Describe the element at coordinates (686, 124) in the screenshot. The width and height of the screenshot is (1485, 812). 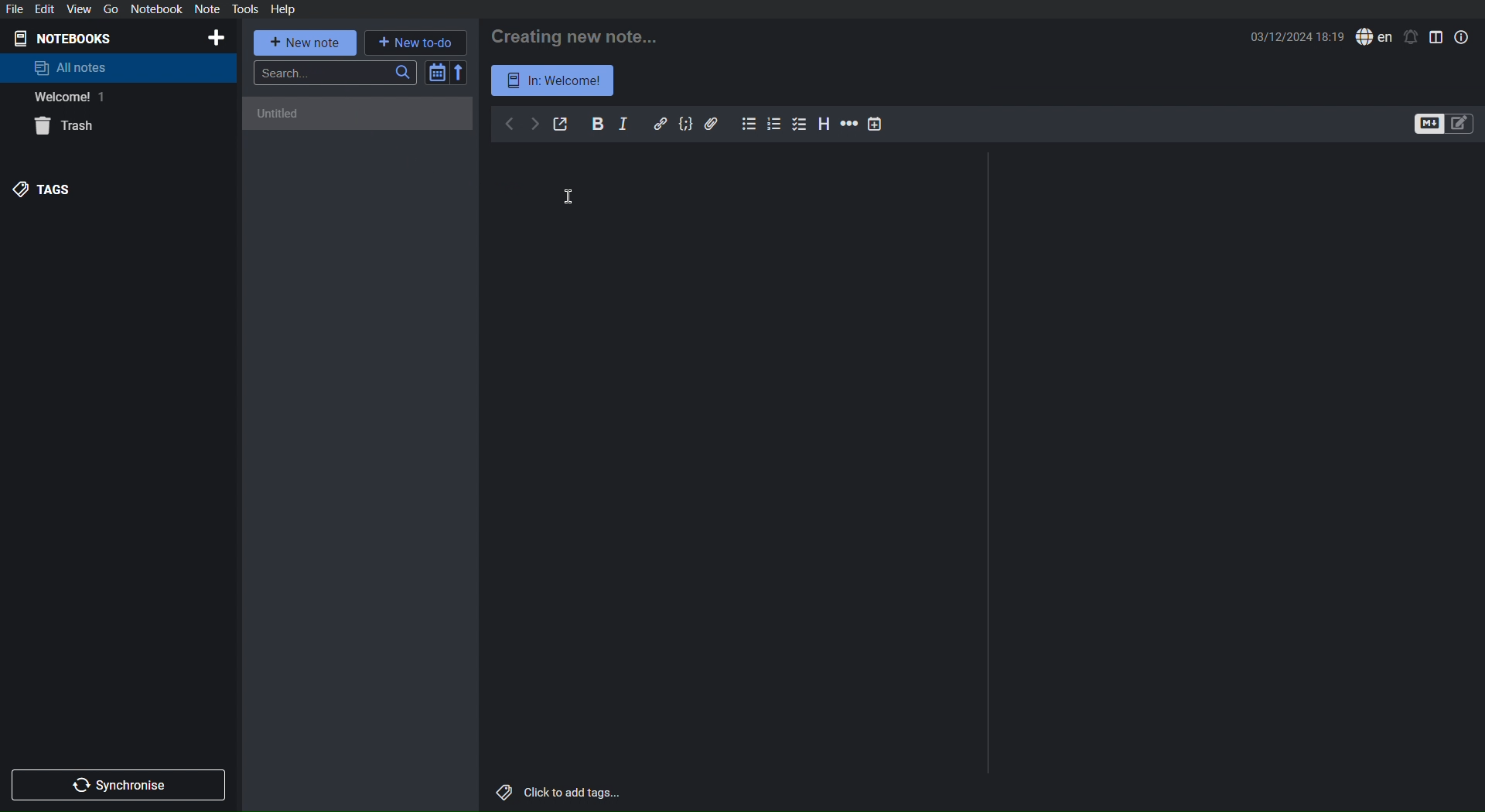
I see `Code` at that location.